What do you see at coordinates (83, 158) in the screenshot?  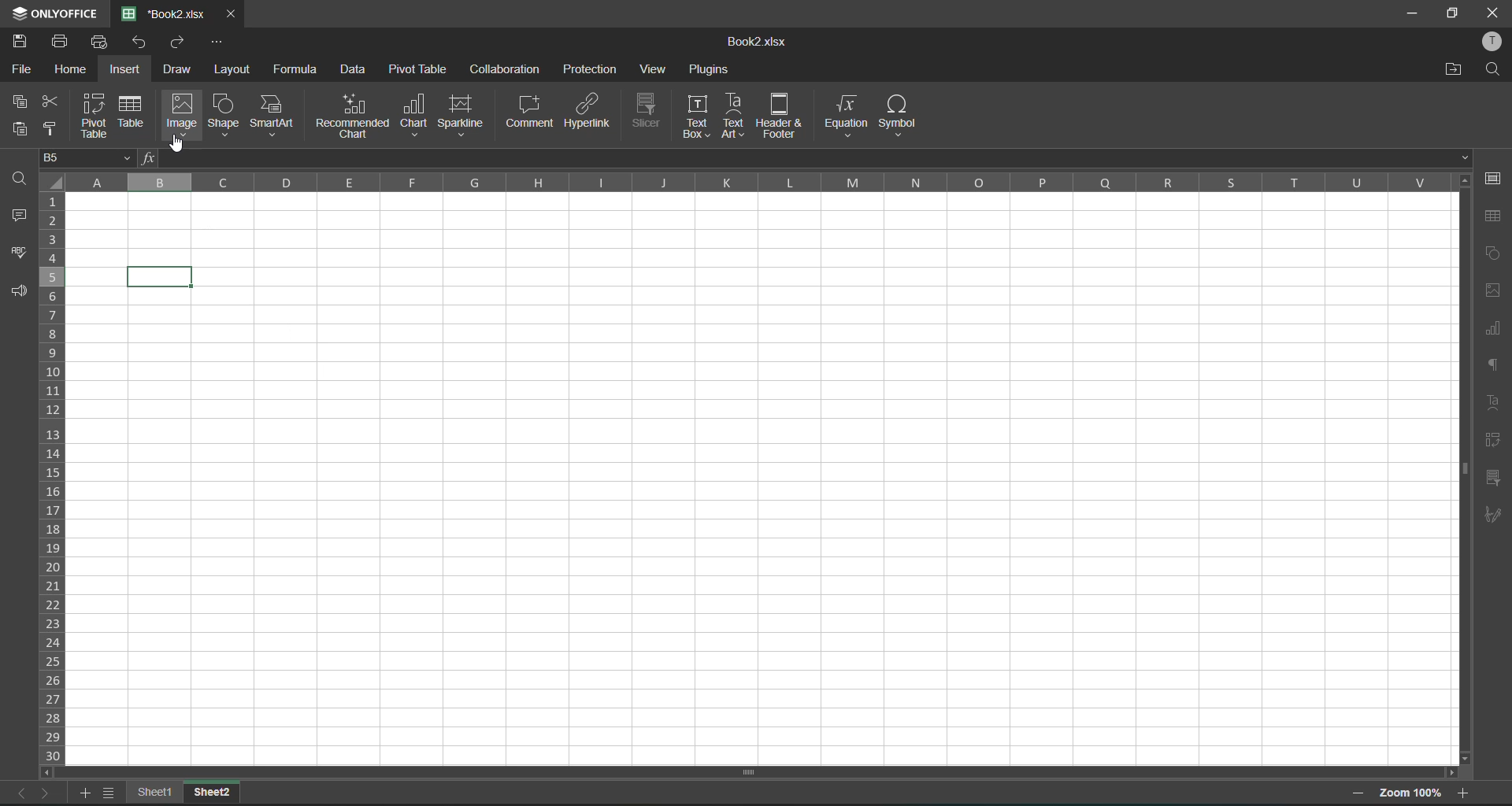 I see `B5` at bounding box center [83, 158].